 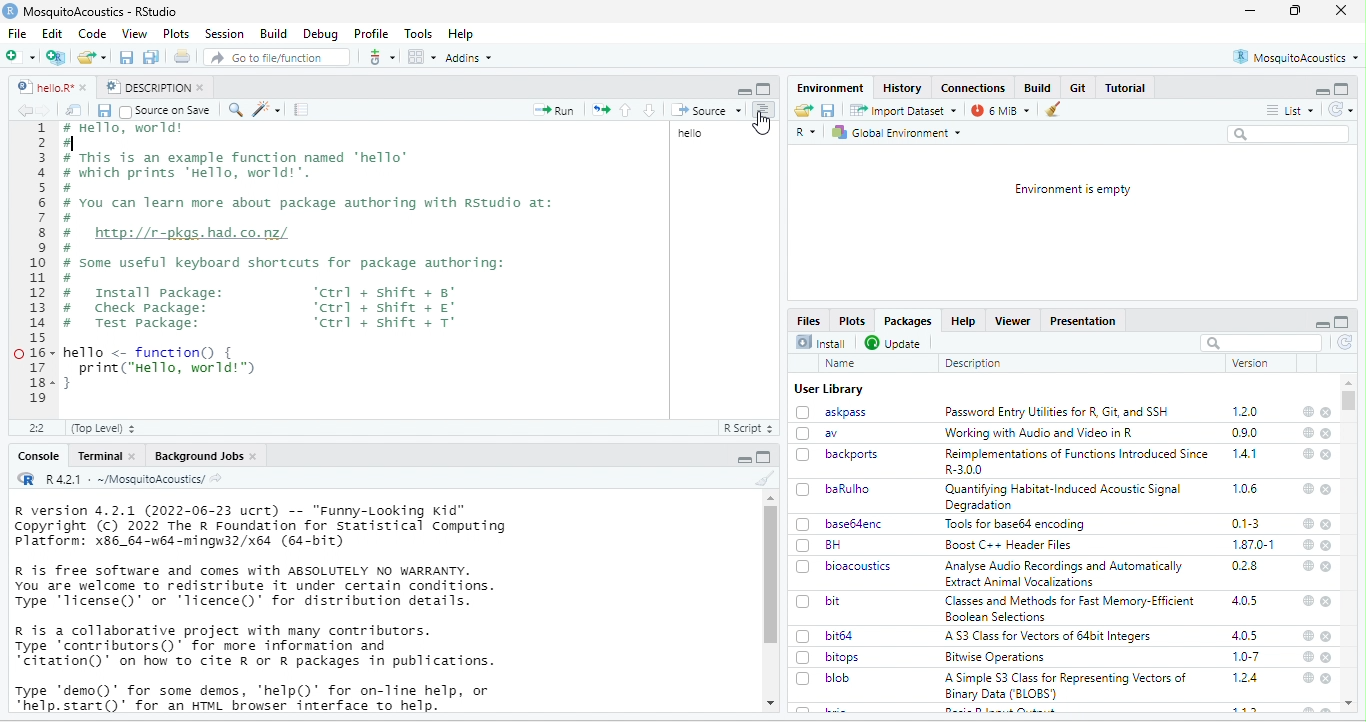 What do you see at coordinates (166, 111) in the screenshot?
I see `Source on Save` at bounding box center [166, 111].